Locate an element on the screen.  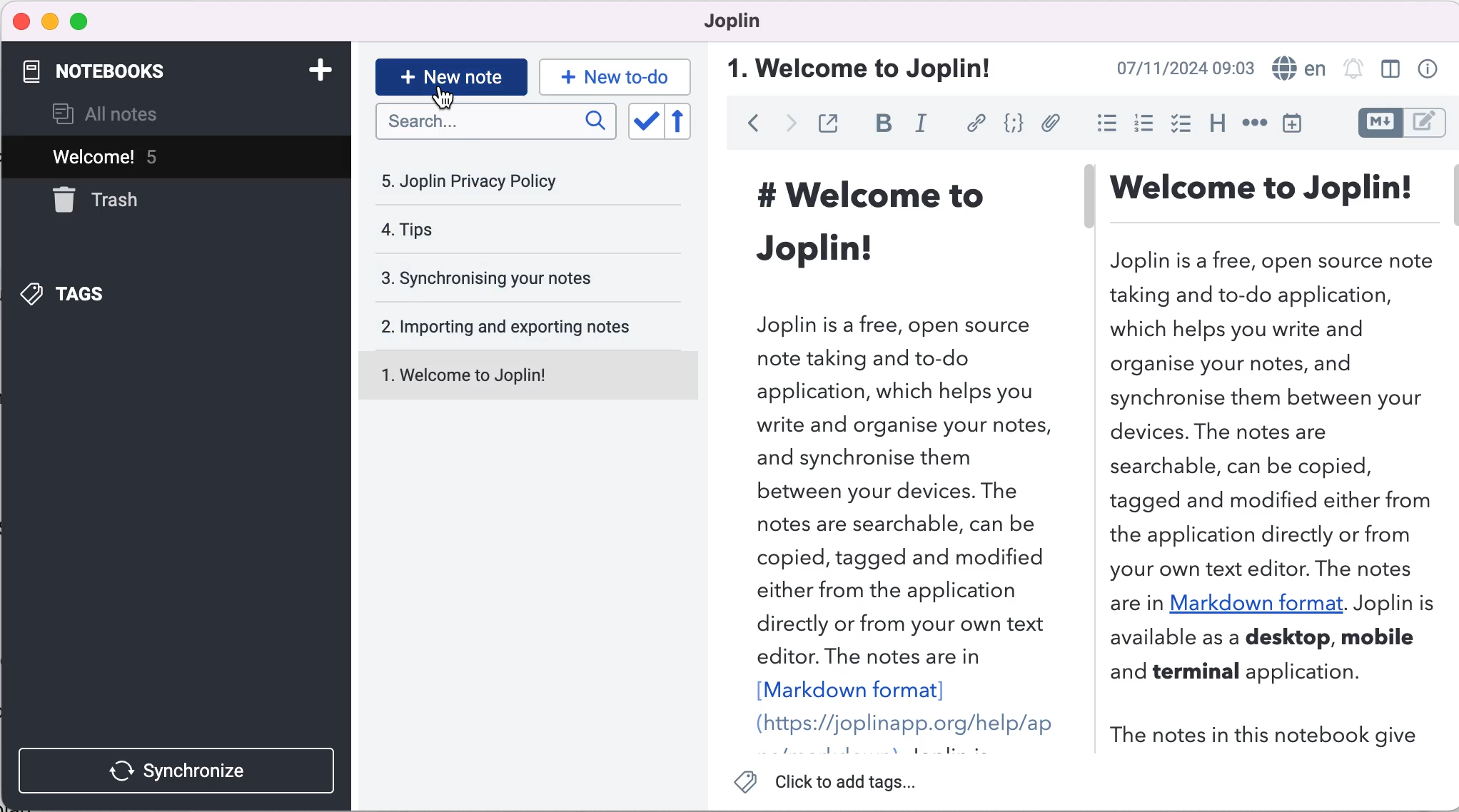
notebooks is located at coordinates (106, 72).